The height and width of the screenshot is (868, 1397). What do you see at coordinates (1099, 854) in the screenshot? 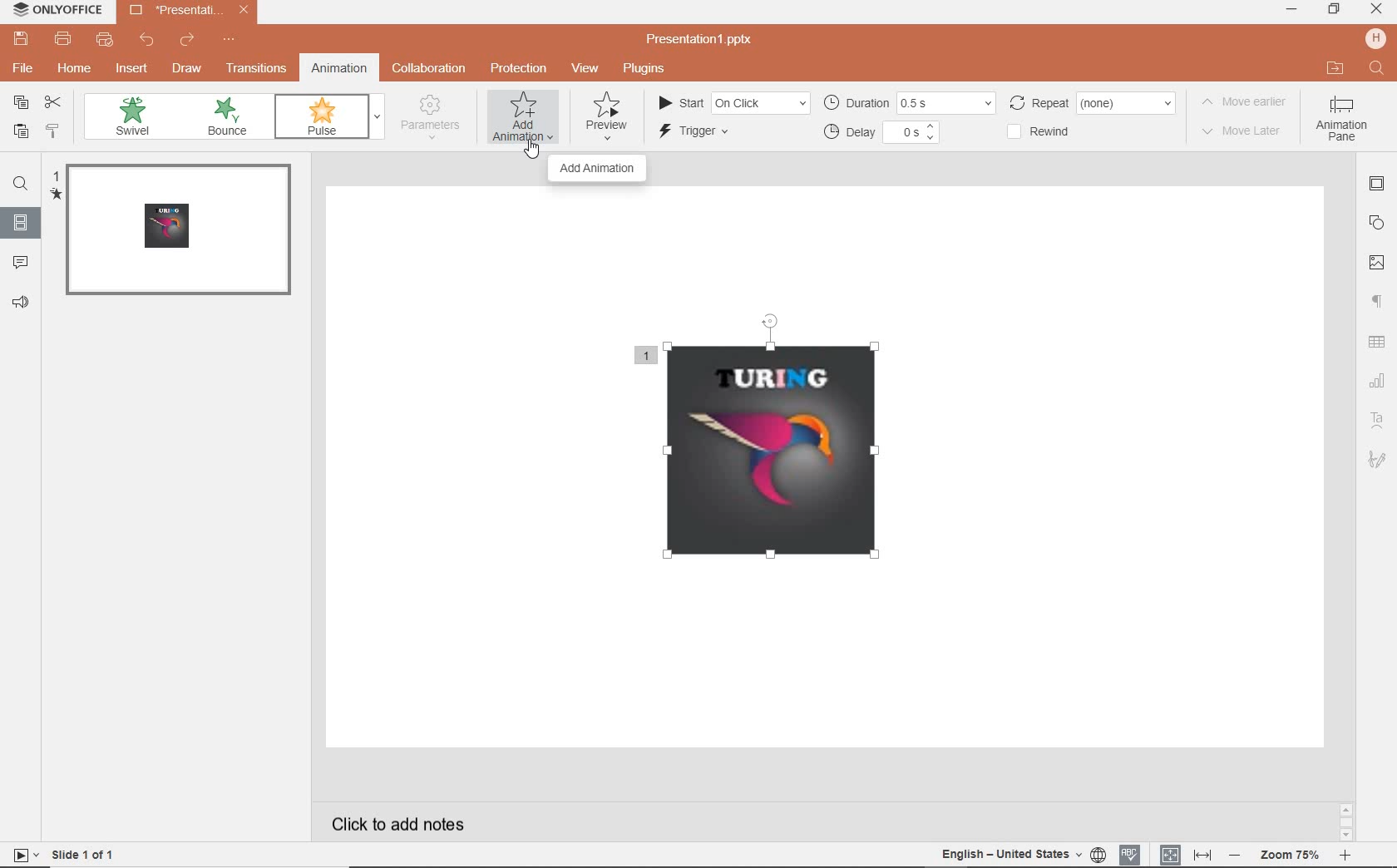
I see `set document language` at bounding box center [1099, 854].